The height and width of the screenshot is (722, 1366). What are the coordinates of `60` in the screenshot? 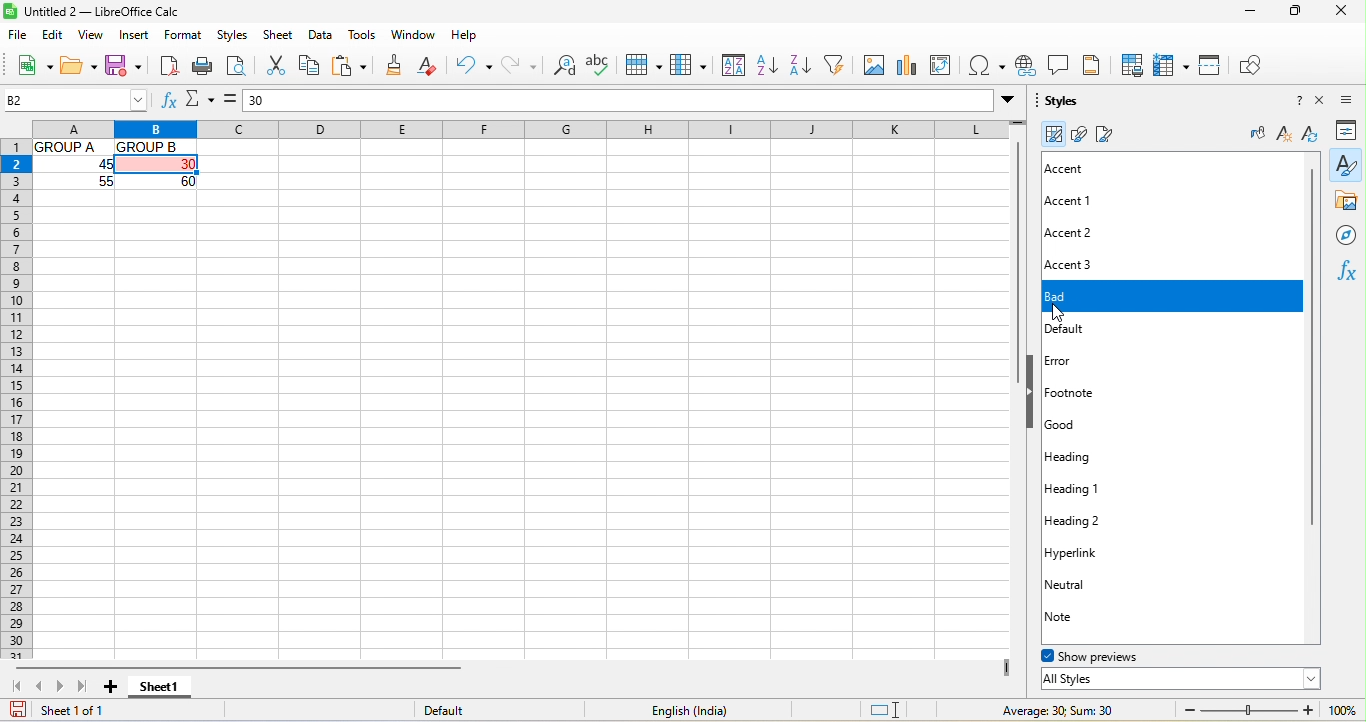 It's located at (172, 181).